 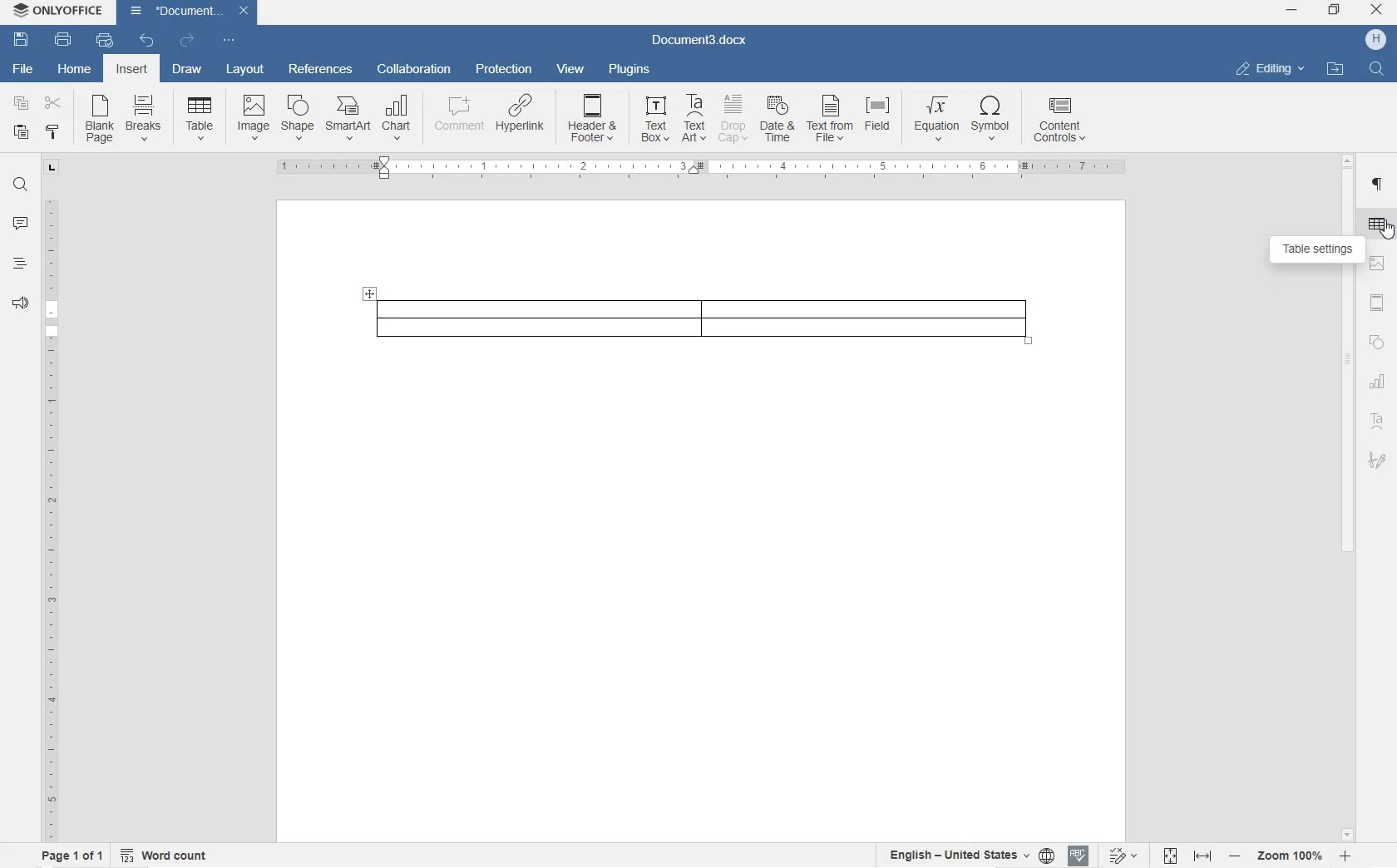 What do you see at coordinates (1271, 68) in the screenshot?
I see `editing` at bounding box center [1271, 68].